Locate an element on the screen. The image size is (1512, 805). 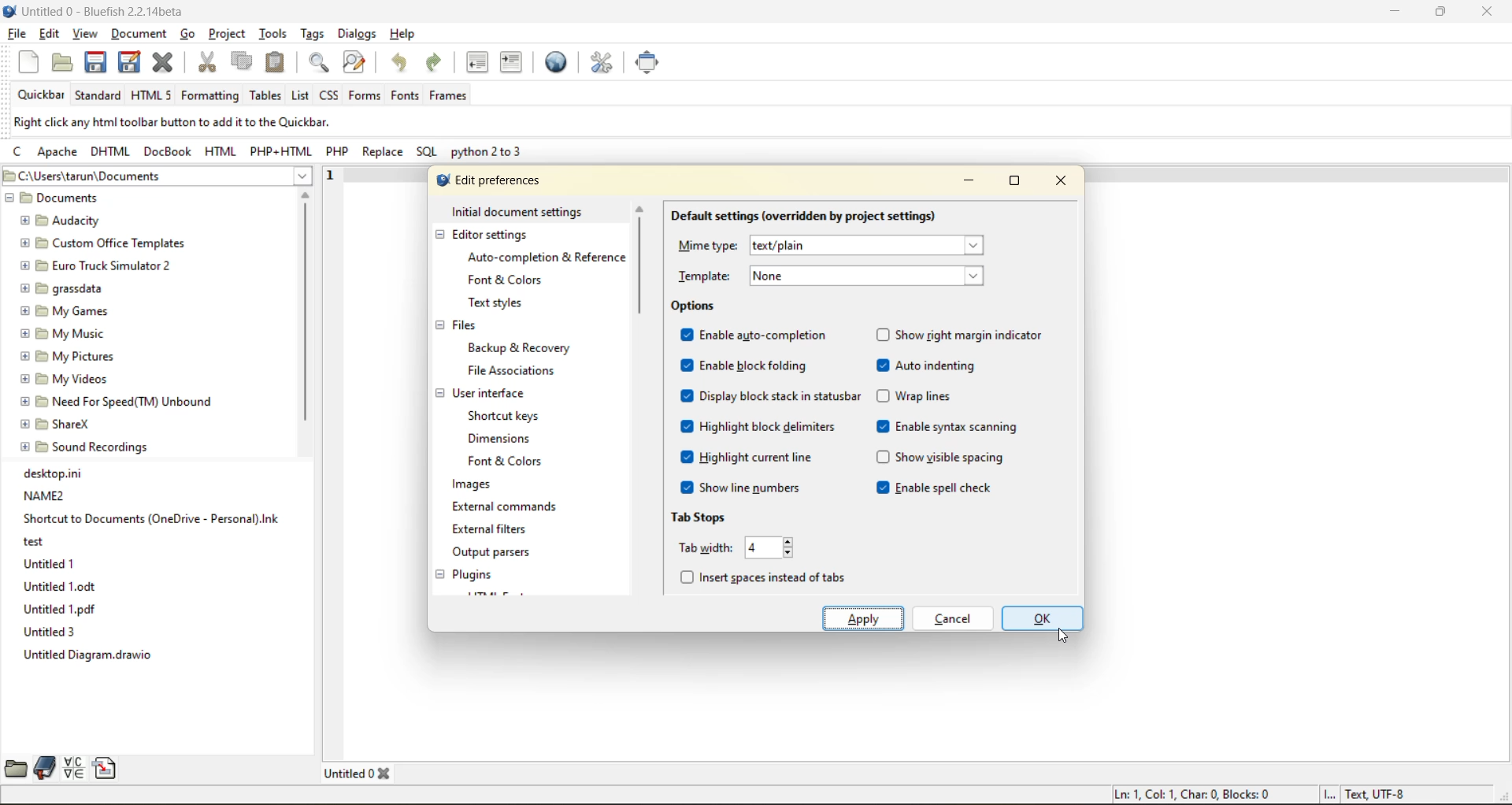
new is located at coordinates (29, 63).